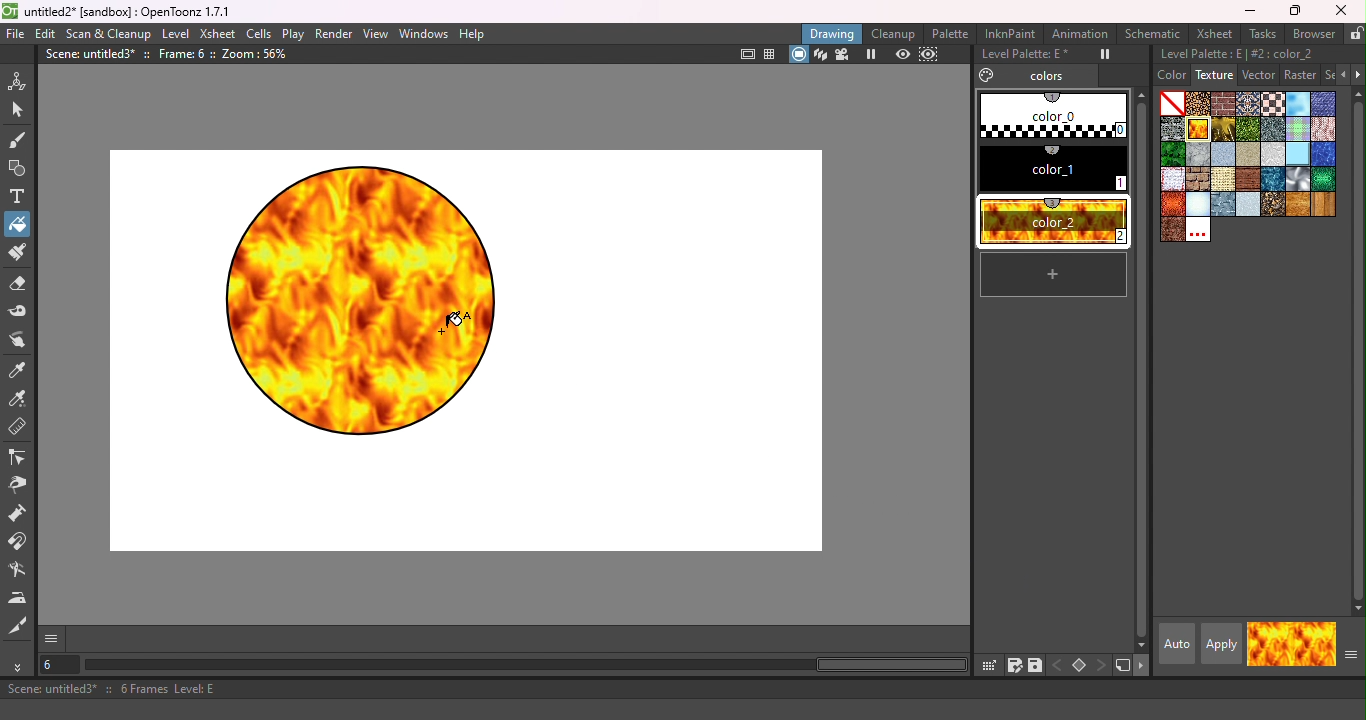 The image size is (1366, 720). What do you see at coordinates (1198, 103) in the screenshot?
I see `Arabesque.bmp` at bounding box center [1198, 103].